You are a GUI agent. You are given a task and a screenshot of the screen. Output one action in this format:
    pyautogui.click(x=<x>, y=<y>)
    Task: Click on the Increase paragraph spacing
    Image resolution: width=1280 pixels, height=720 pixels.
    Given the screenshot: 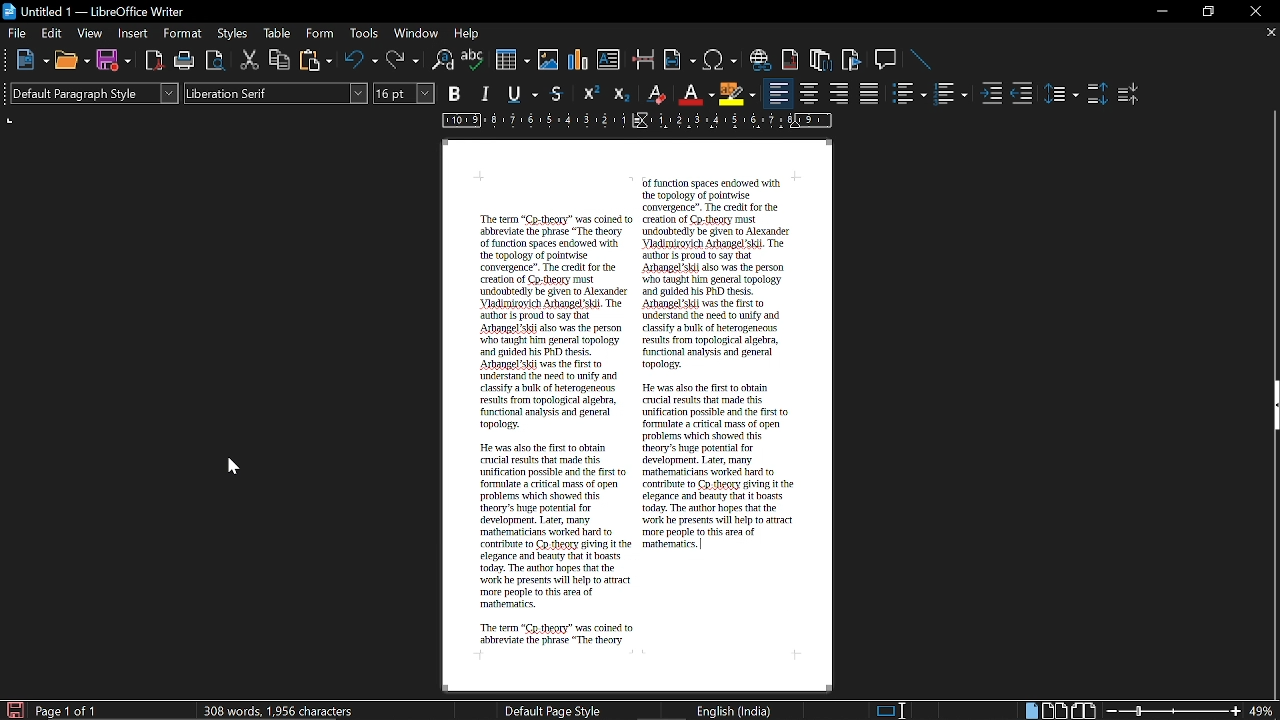 What is the action you would take?
    pyautogui.click(x=1096, y=93)
    